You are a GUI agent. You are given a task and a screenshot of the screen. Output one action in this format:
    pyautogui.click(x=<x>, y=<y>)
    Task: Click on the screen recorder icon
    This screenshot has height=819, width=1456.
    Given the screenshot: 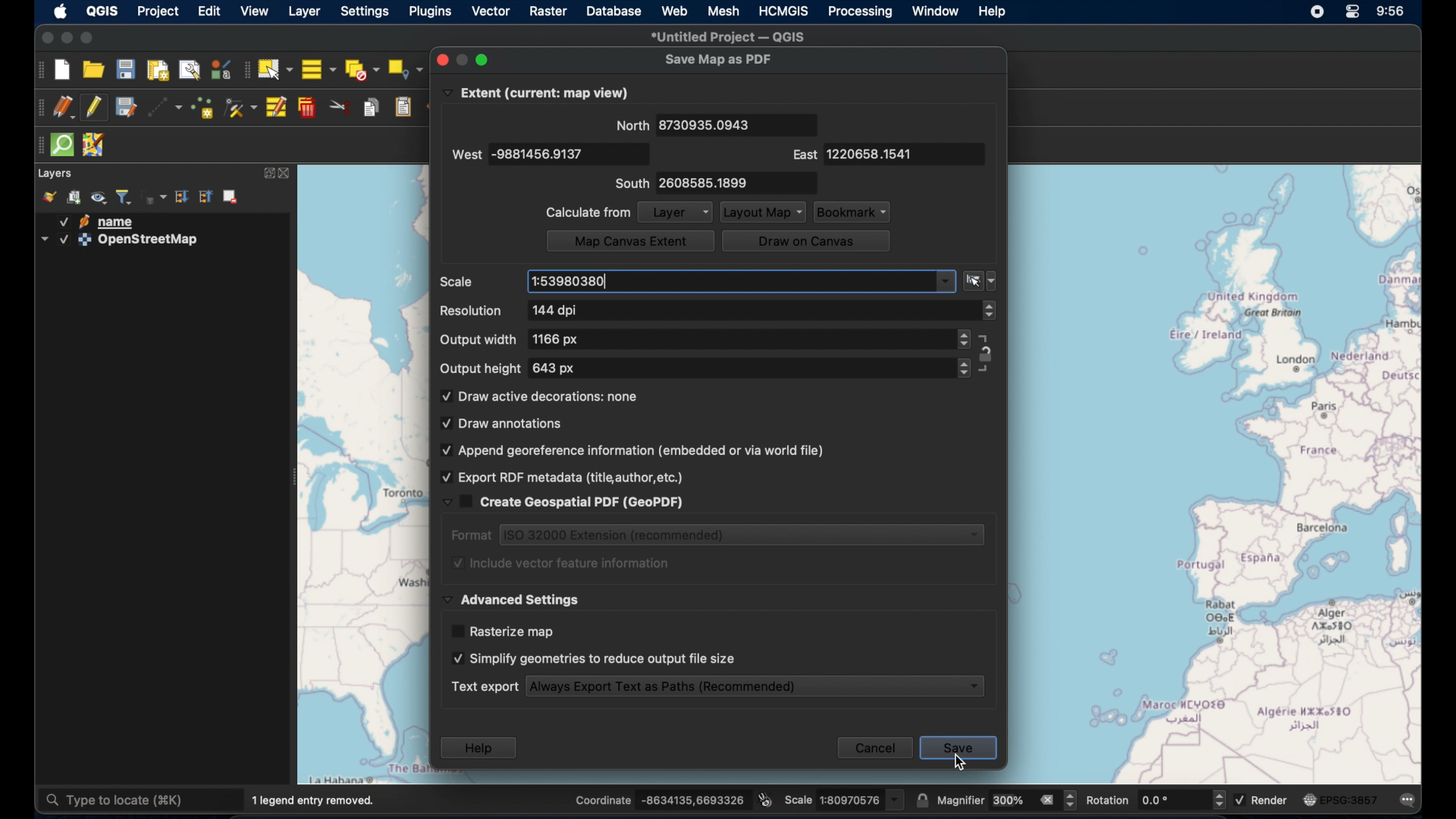 What is the action you would take?
    pyautogui.click(x=1316, y=13)
    